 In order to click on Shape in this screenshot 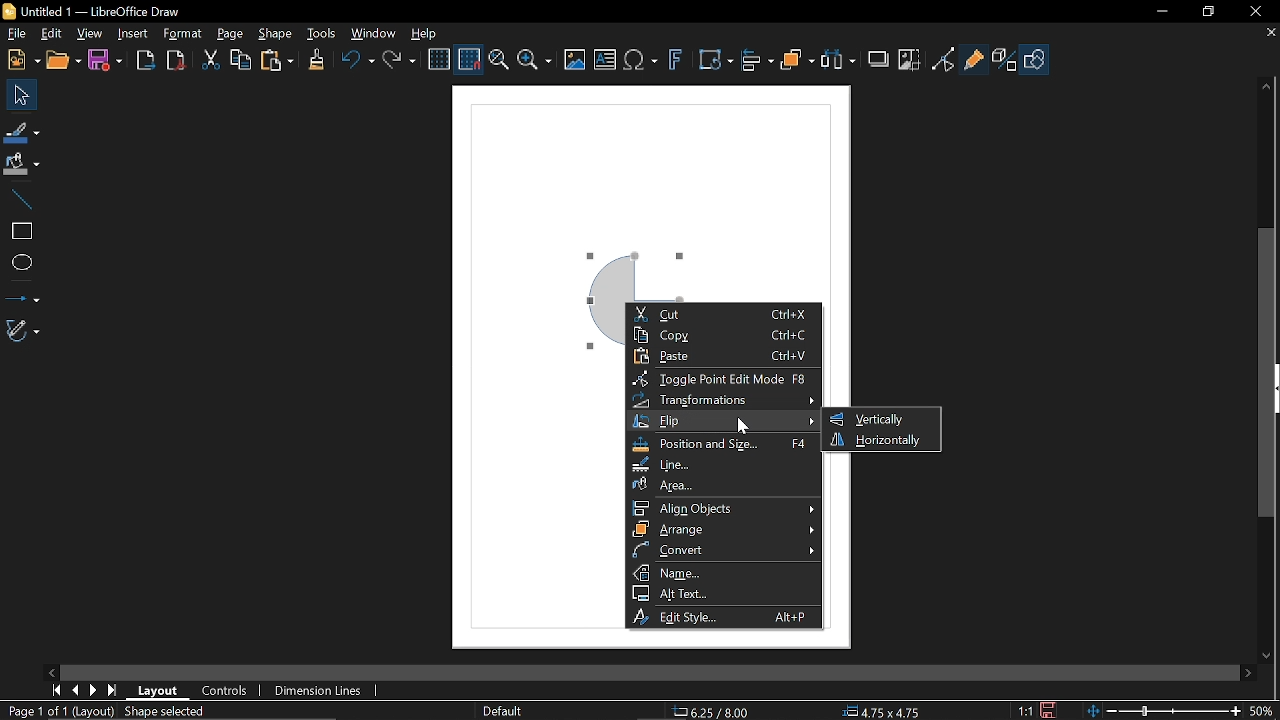, I will do `click(278, 34)`.